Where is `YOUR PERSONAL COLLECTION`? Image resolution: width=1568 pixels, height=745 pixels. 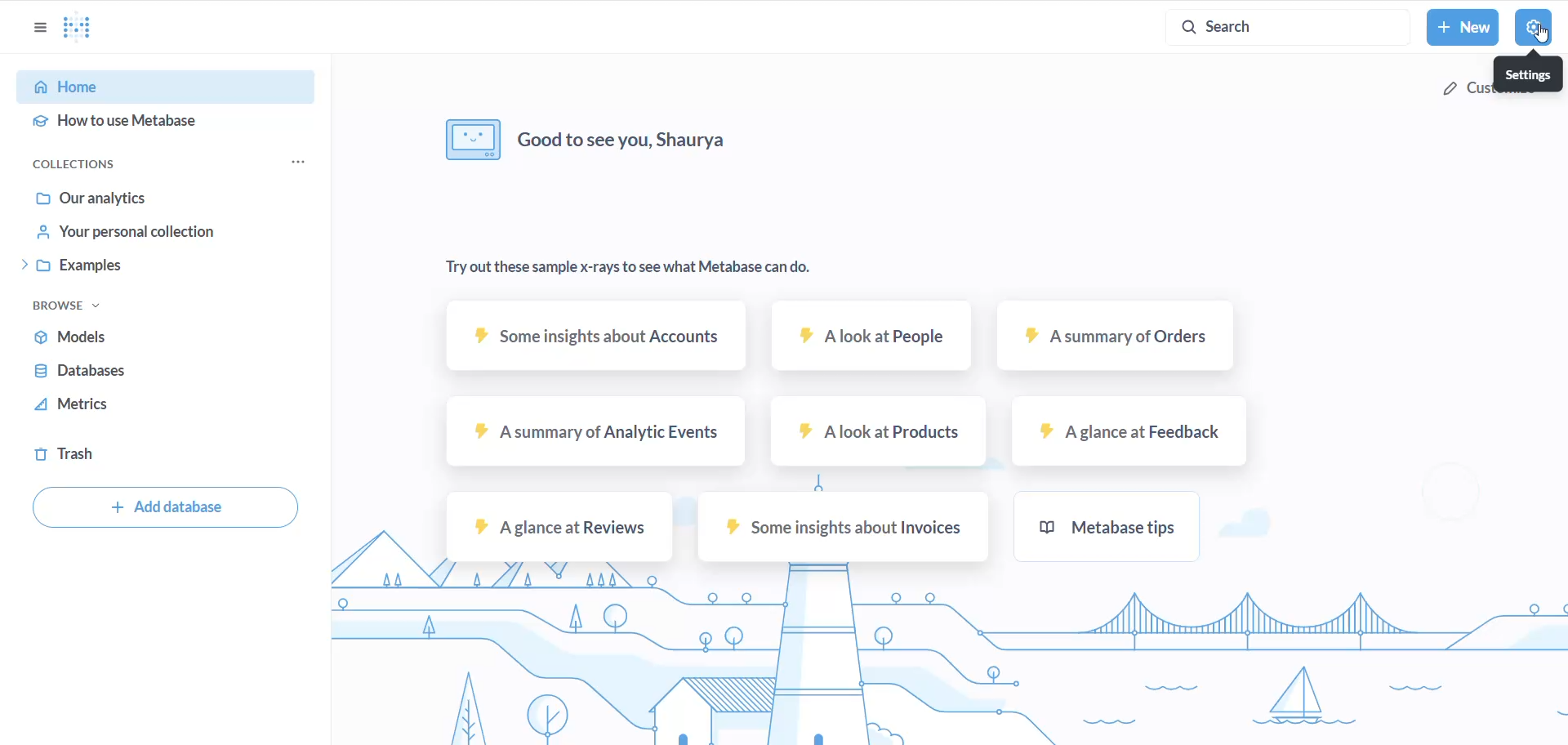 YOUR PERSONAL COLLECTION is located at coordinates (183, 235).